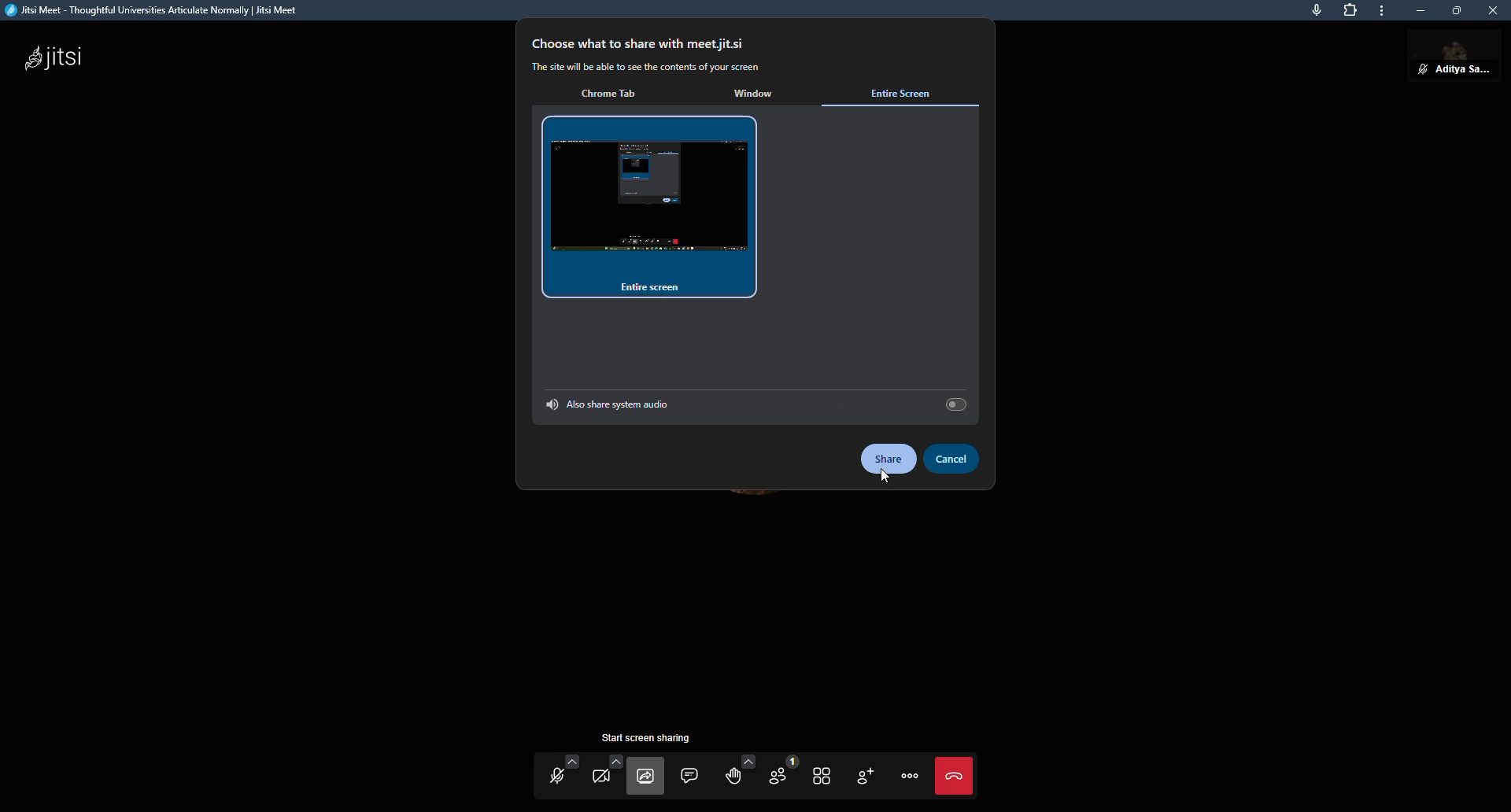 The image size is (1511, 812). Describe the element at coordinates (907, 90) in the screenshot. I see `entire screen` at that location.